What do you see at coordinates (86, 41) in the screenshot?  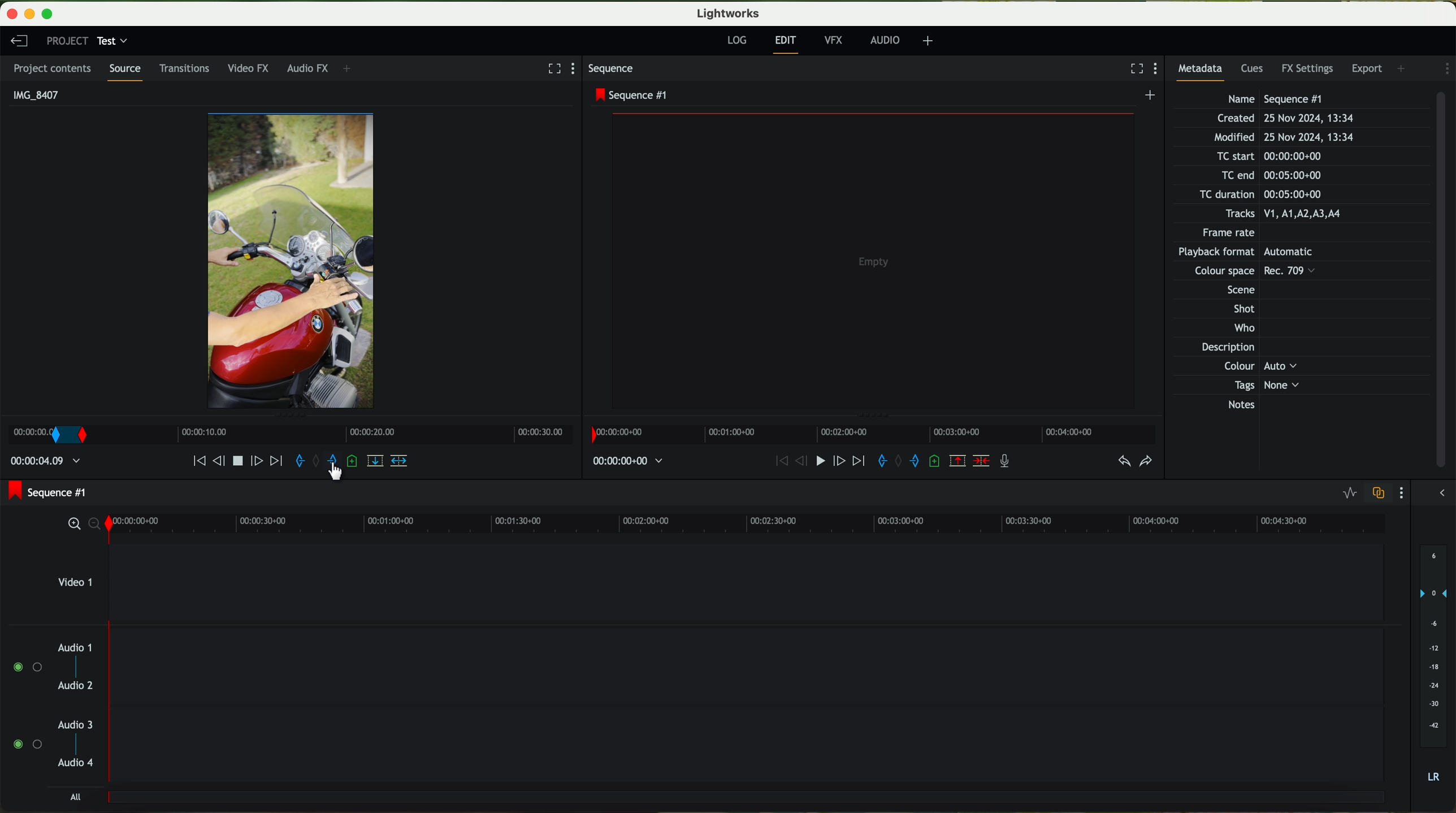 I see `project: test` at bounding box center [86, 41].